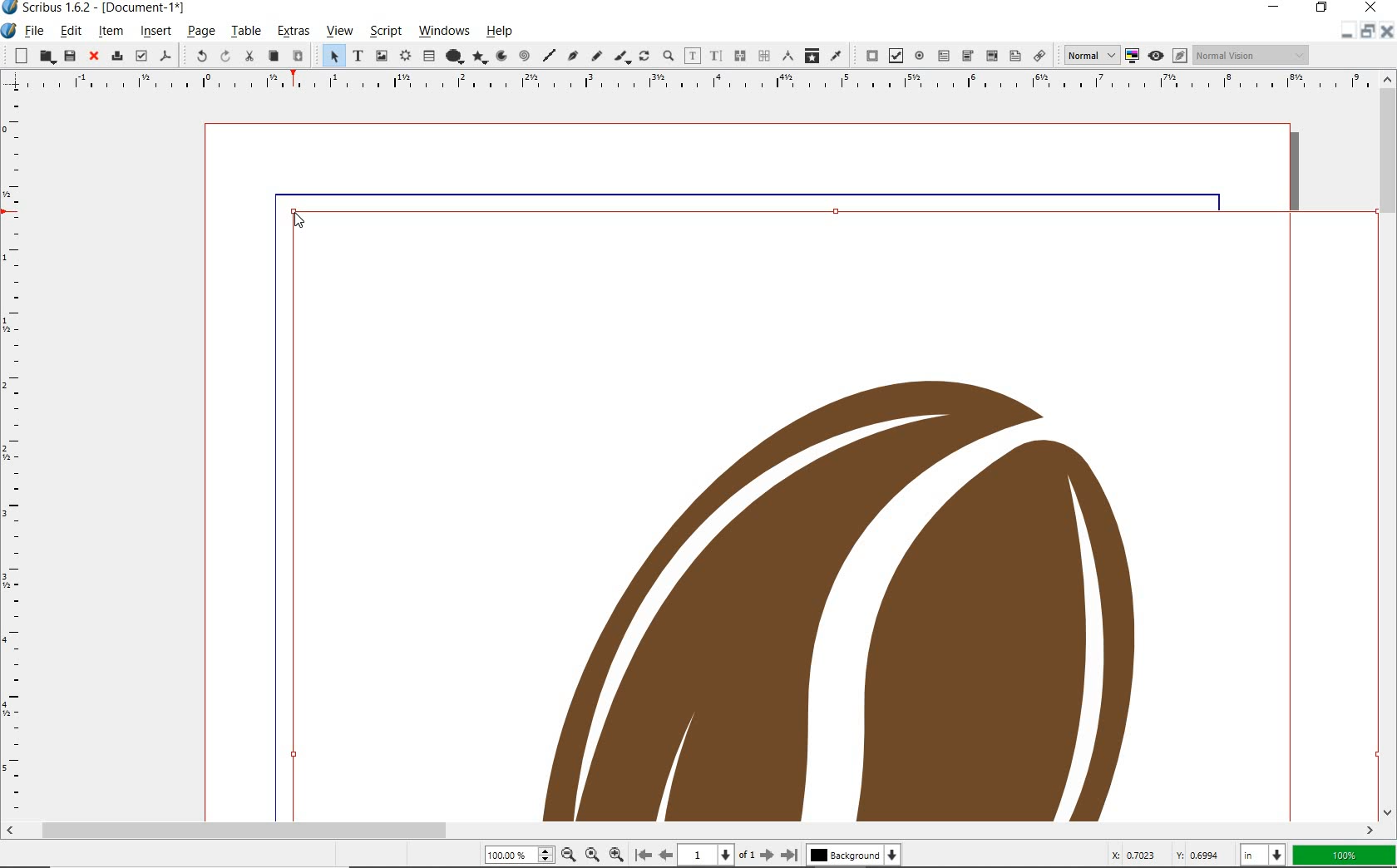  I want to click on Zoom 100.00%, so click(519, 854).